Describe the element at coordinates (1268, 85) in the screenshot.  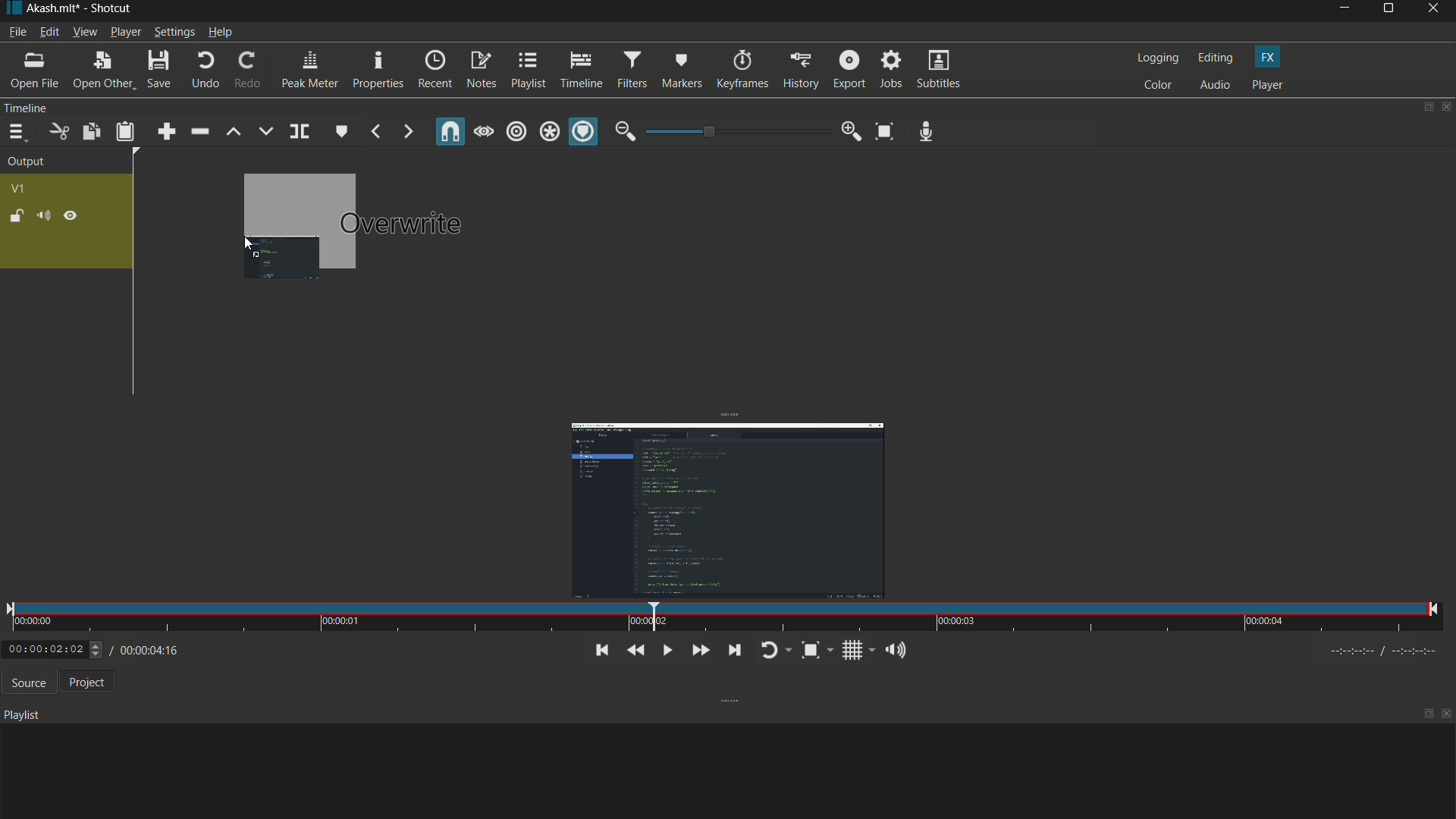
I see `player` at that location.